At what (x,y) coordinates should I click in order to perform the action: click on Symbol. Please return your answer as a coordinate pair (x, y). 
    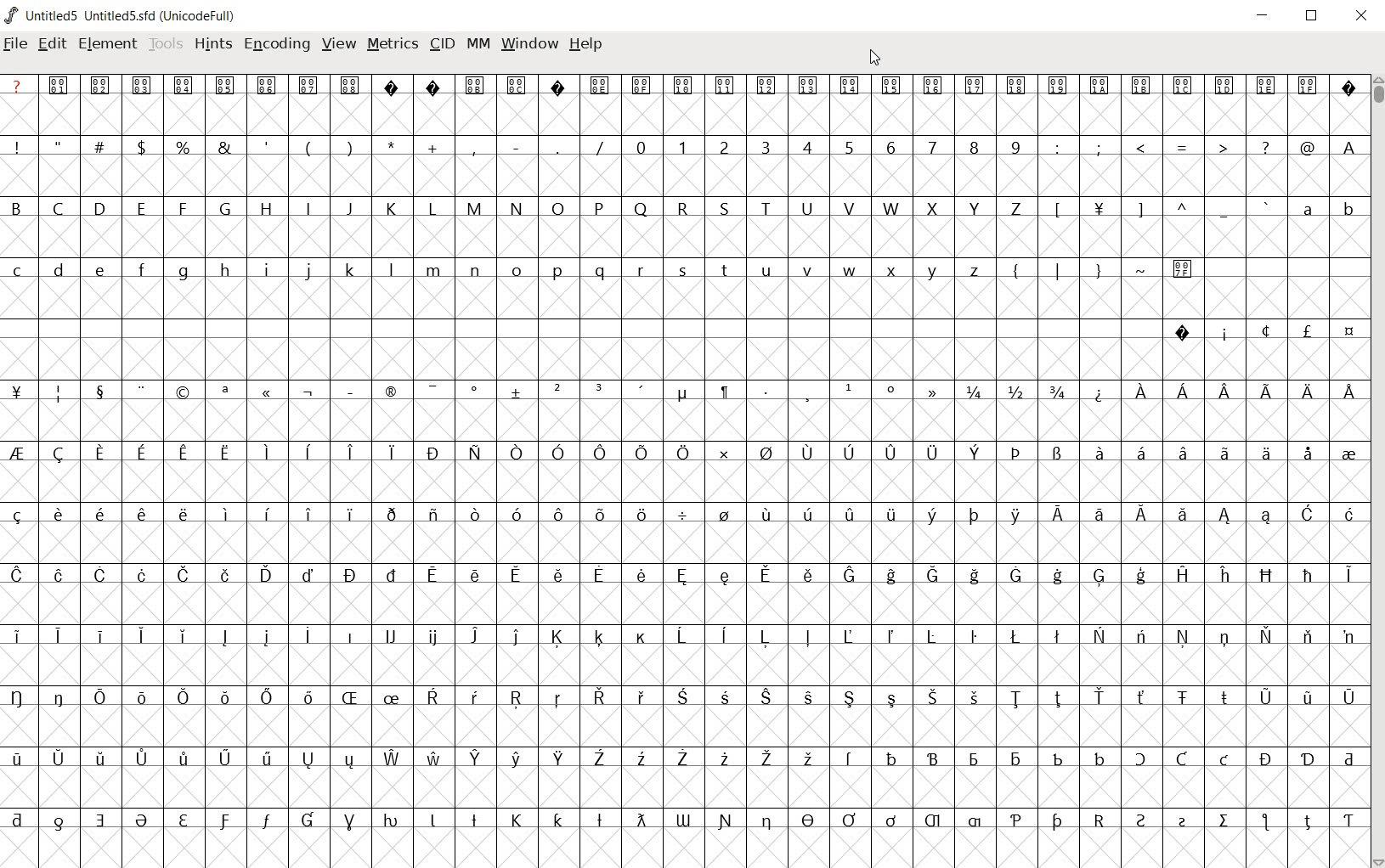
    Looking at the image, I should click on (139, 514).